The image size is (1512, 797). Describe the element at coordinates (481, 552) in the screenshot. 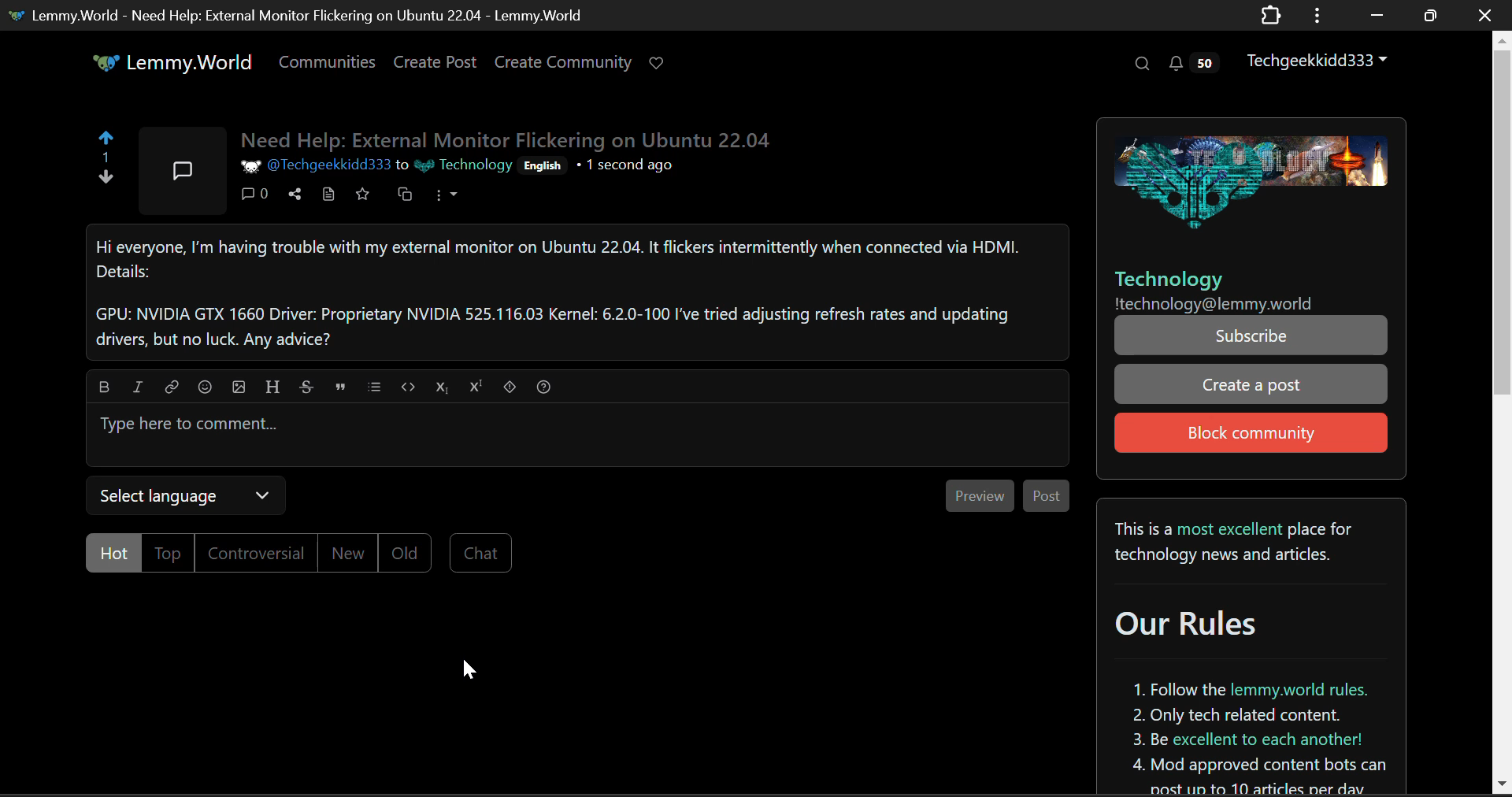

I see `Chat` at that location.